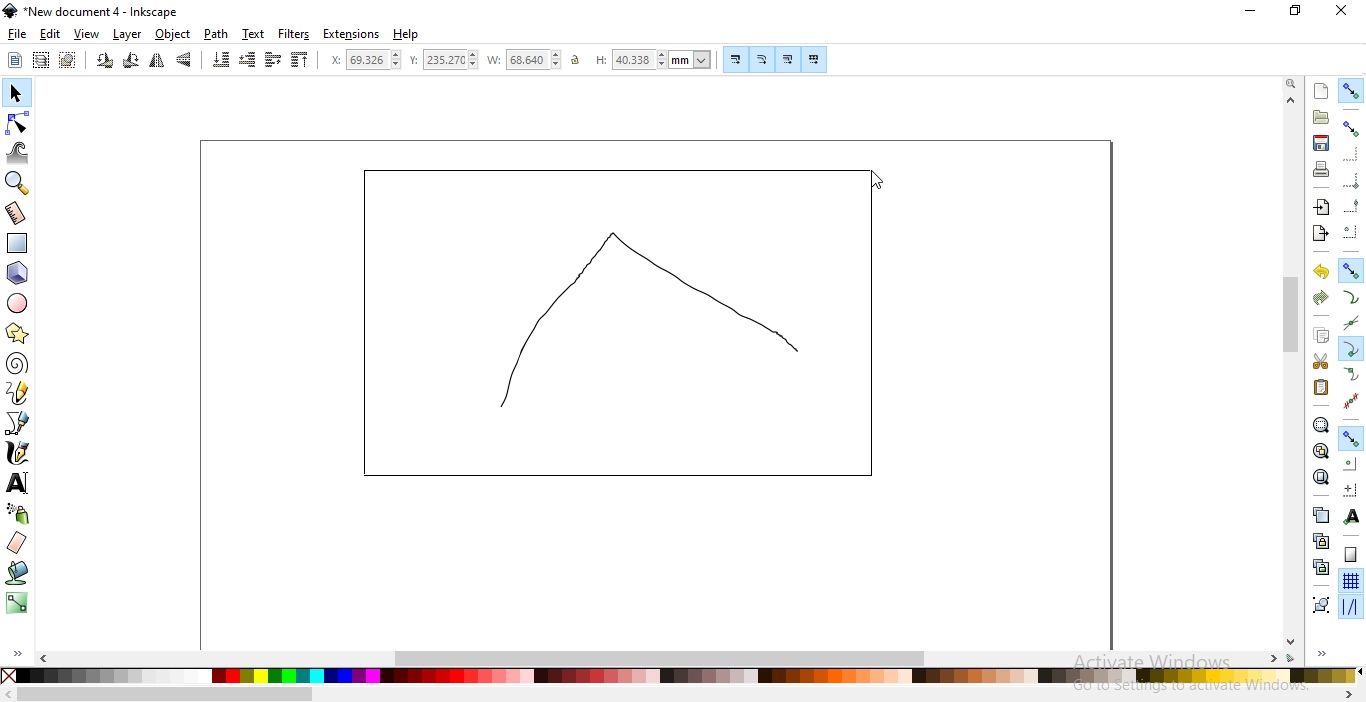 The image size is (1366, 702). What do you see at coordinates (1320, 540) in the screenshot?
I see `create a clone` at bounding box center [1320, 540].